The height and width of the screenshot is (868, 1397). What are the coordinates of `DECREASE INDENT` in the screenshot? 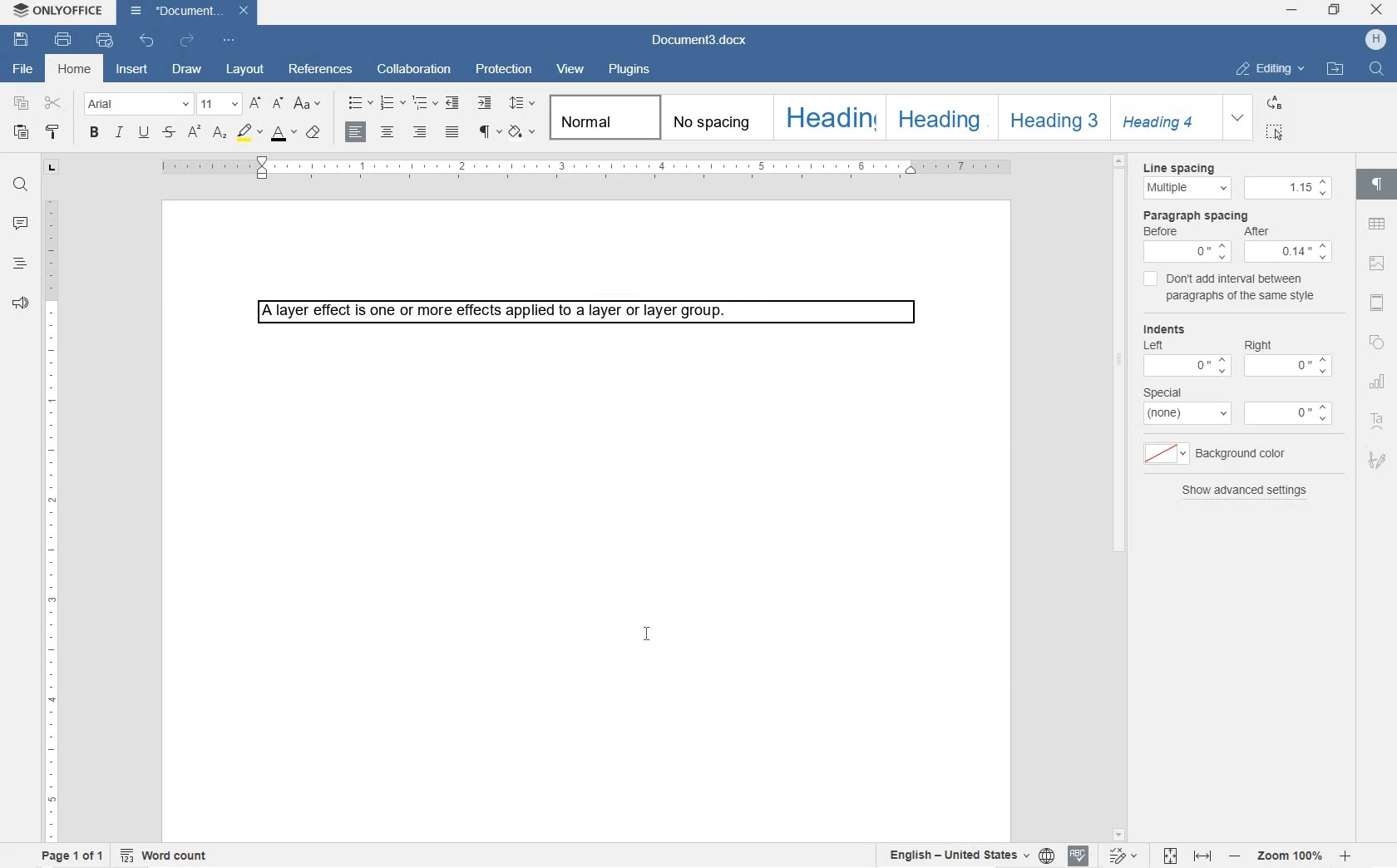 It's located at (454, 103).